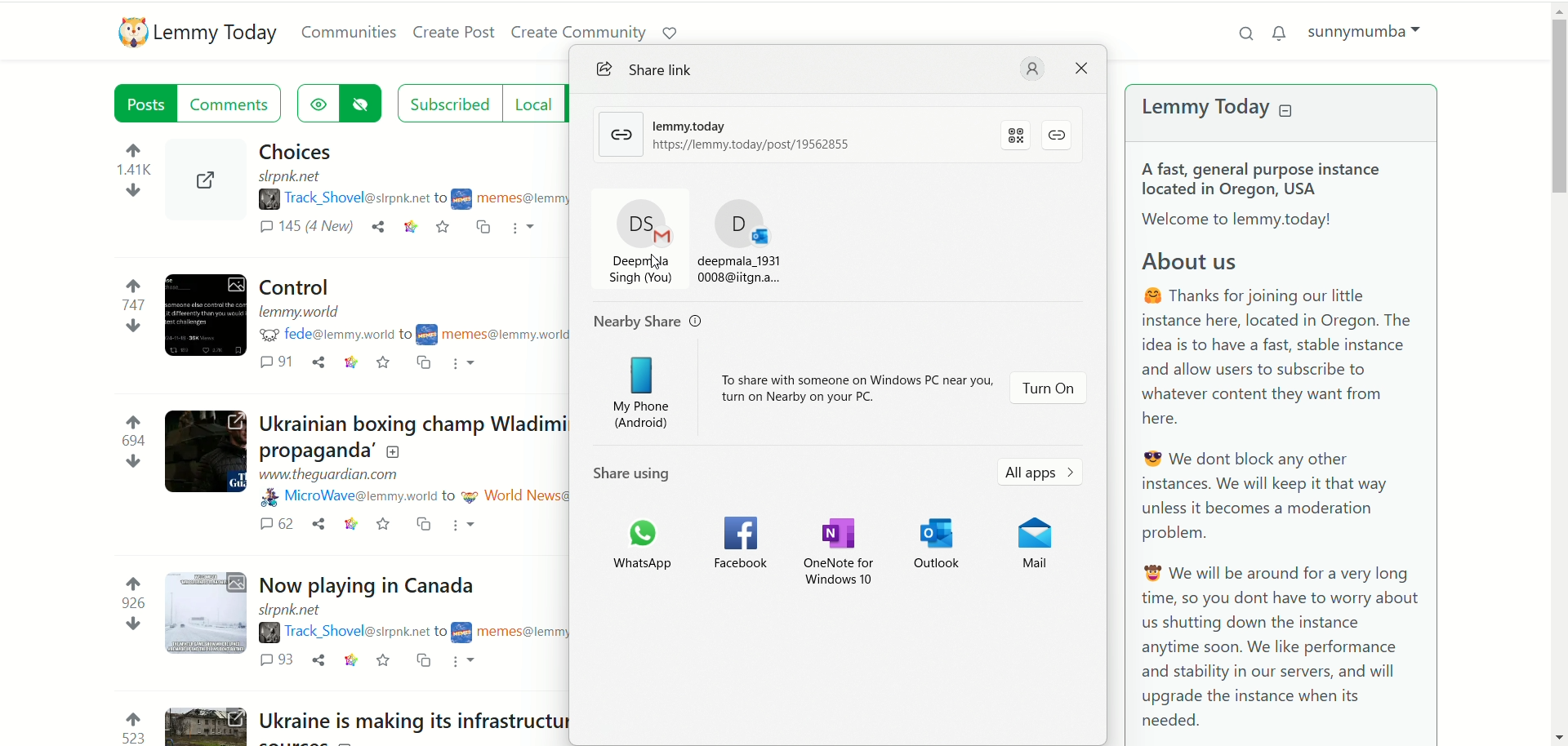 This screenshot has width=1568, height=746. What do you see at coordinates (576, 30) in the screenshot?
I see `create community` at bounding box center [576, 30].